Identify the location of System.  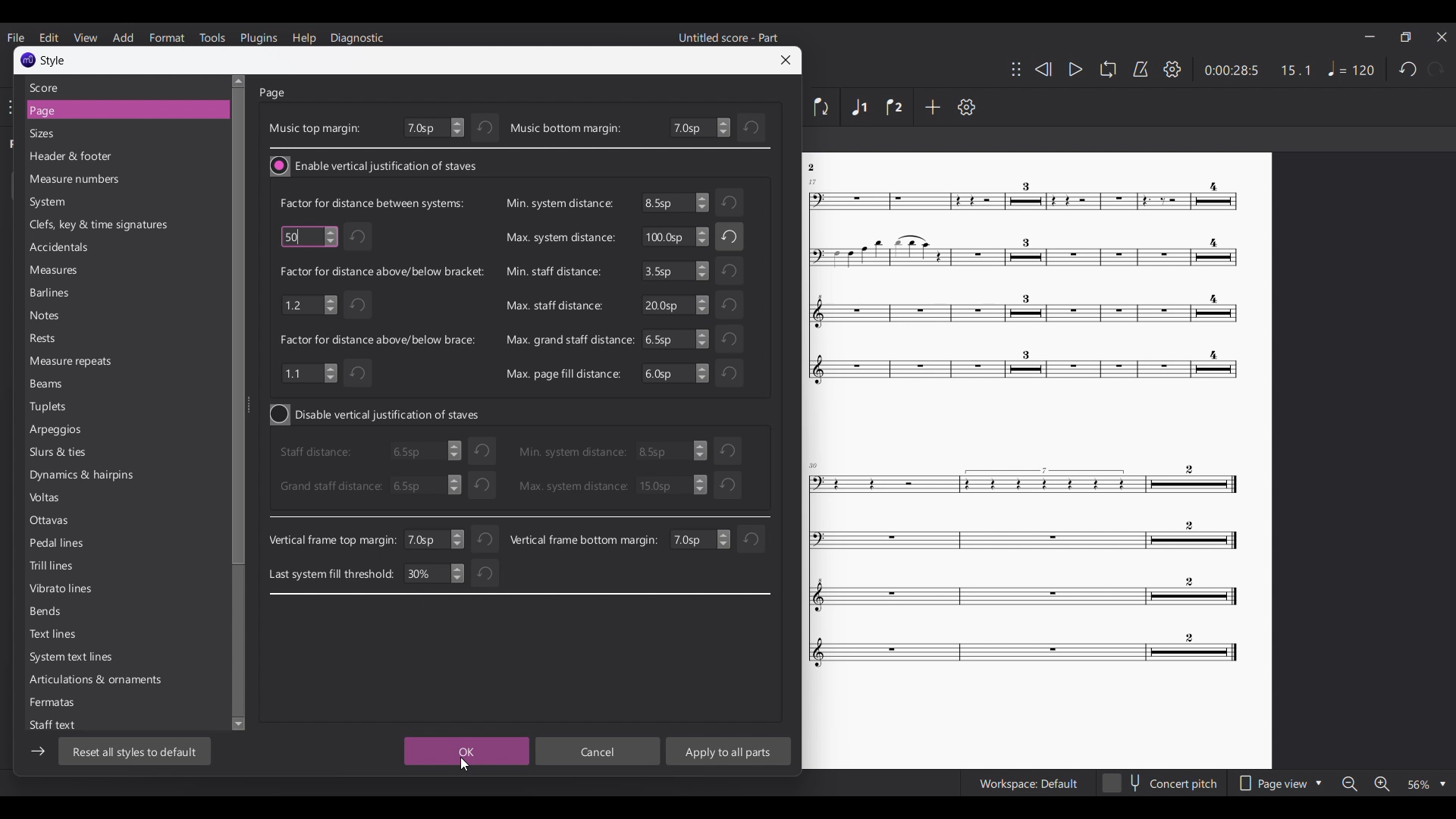
(99, 202).